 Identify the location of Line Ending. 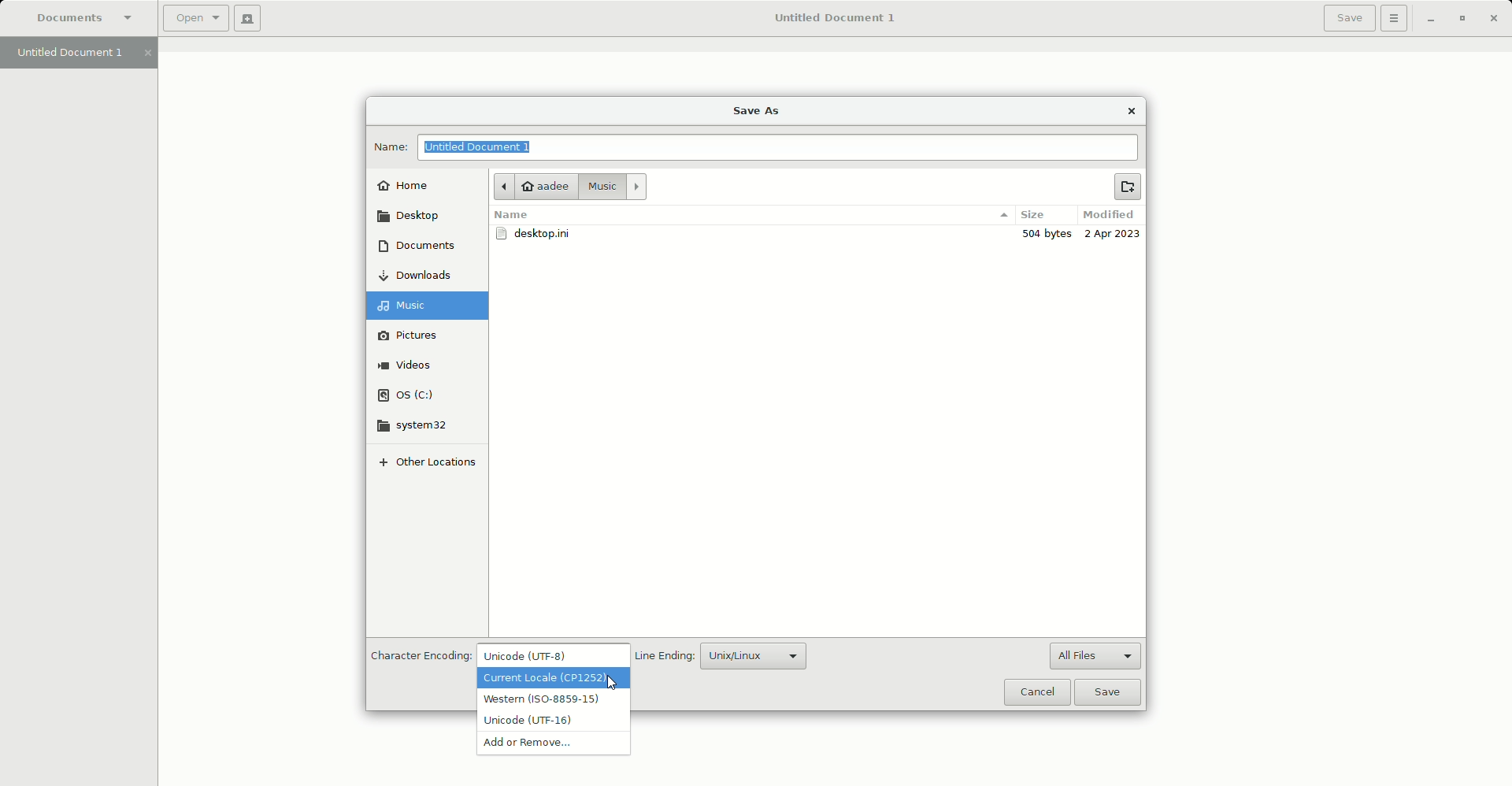
(662, 656).